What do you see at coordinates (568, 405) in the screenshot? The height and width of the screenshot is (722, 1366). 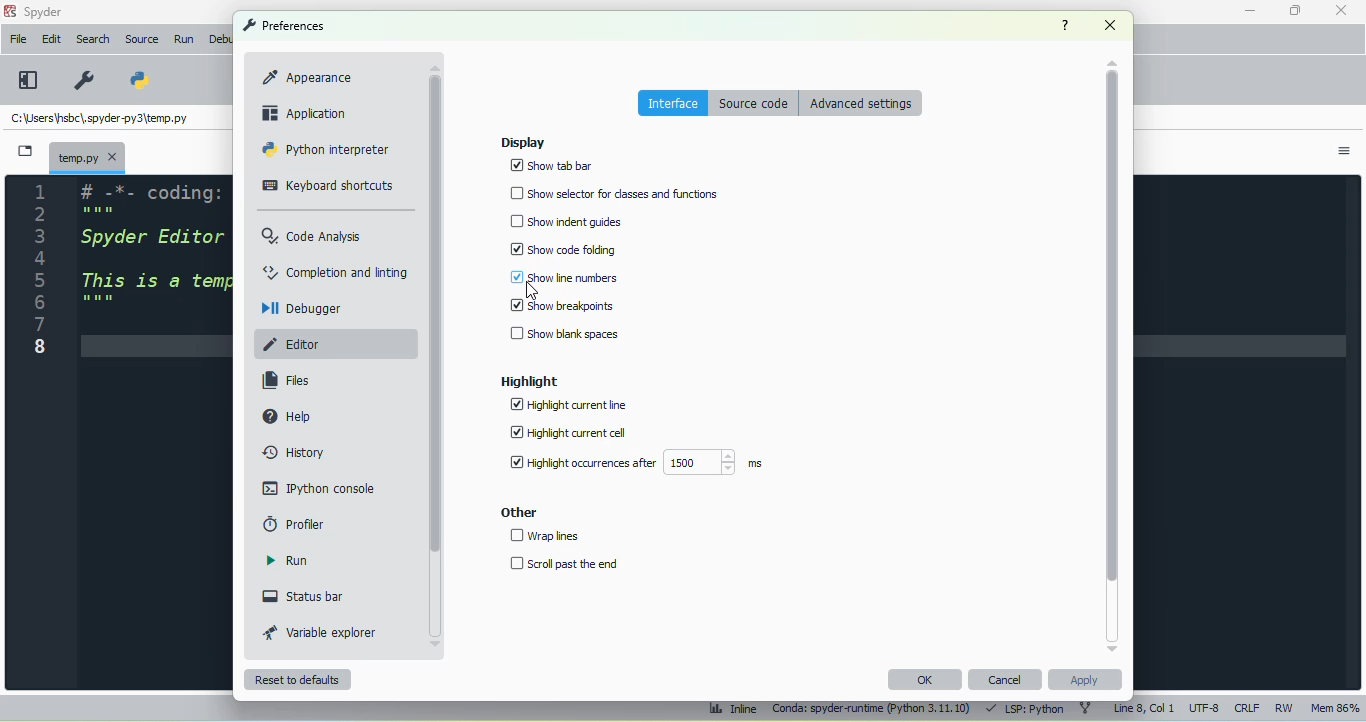 I see `highlight current line` at bounding box center [568, 405].